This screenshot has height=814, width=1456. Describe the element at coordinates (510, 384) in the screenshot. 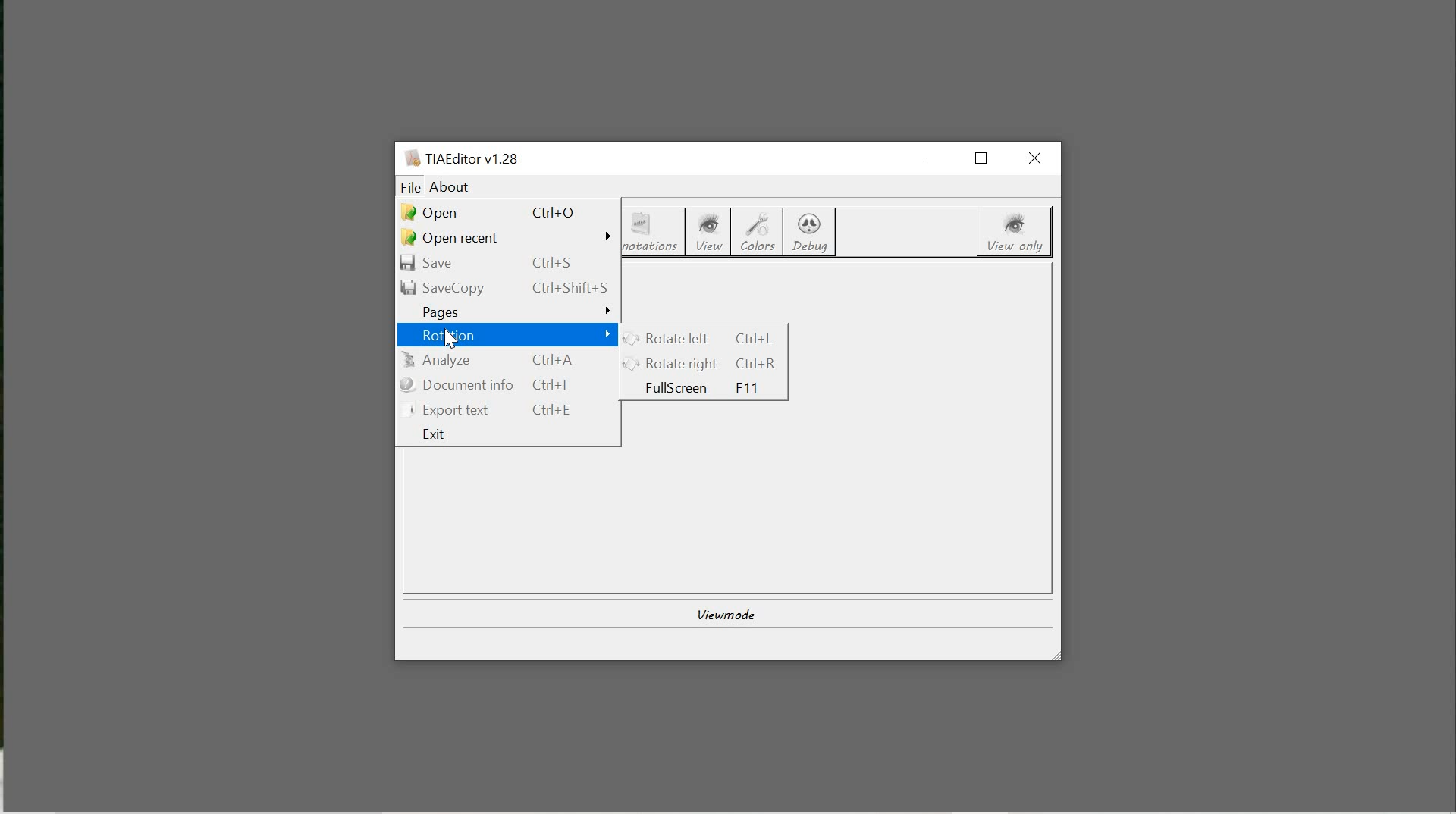

I see `document info` at that location.